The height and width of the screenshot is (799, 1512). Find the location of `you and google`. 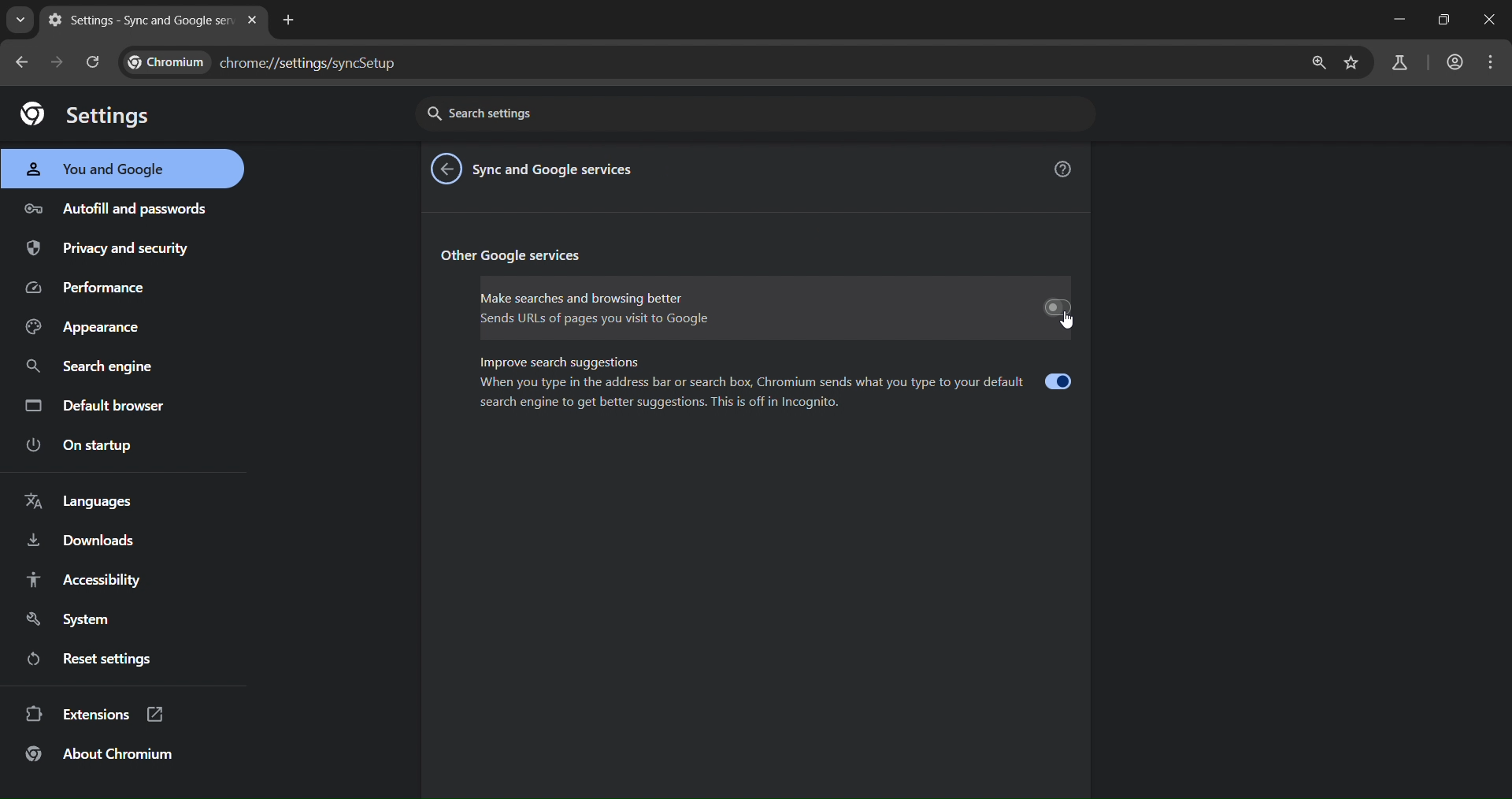

you and google is located at coordinates (108, 170).